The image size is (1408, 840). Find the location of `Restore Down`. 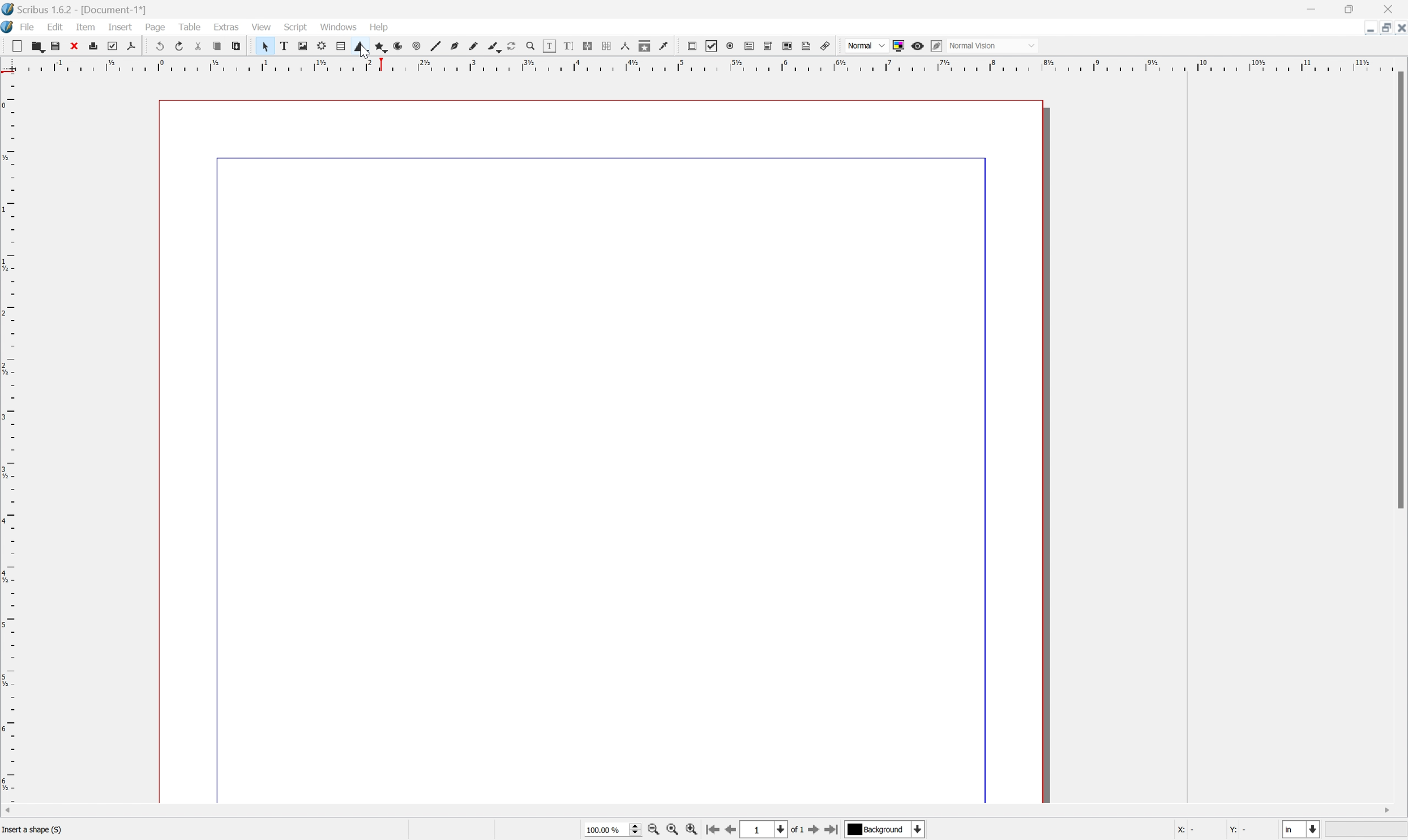

Restore Down is located at coordinates (1354, 8).